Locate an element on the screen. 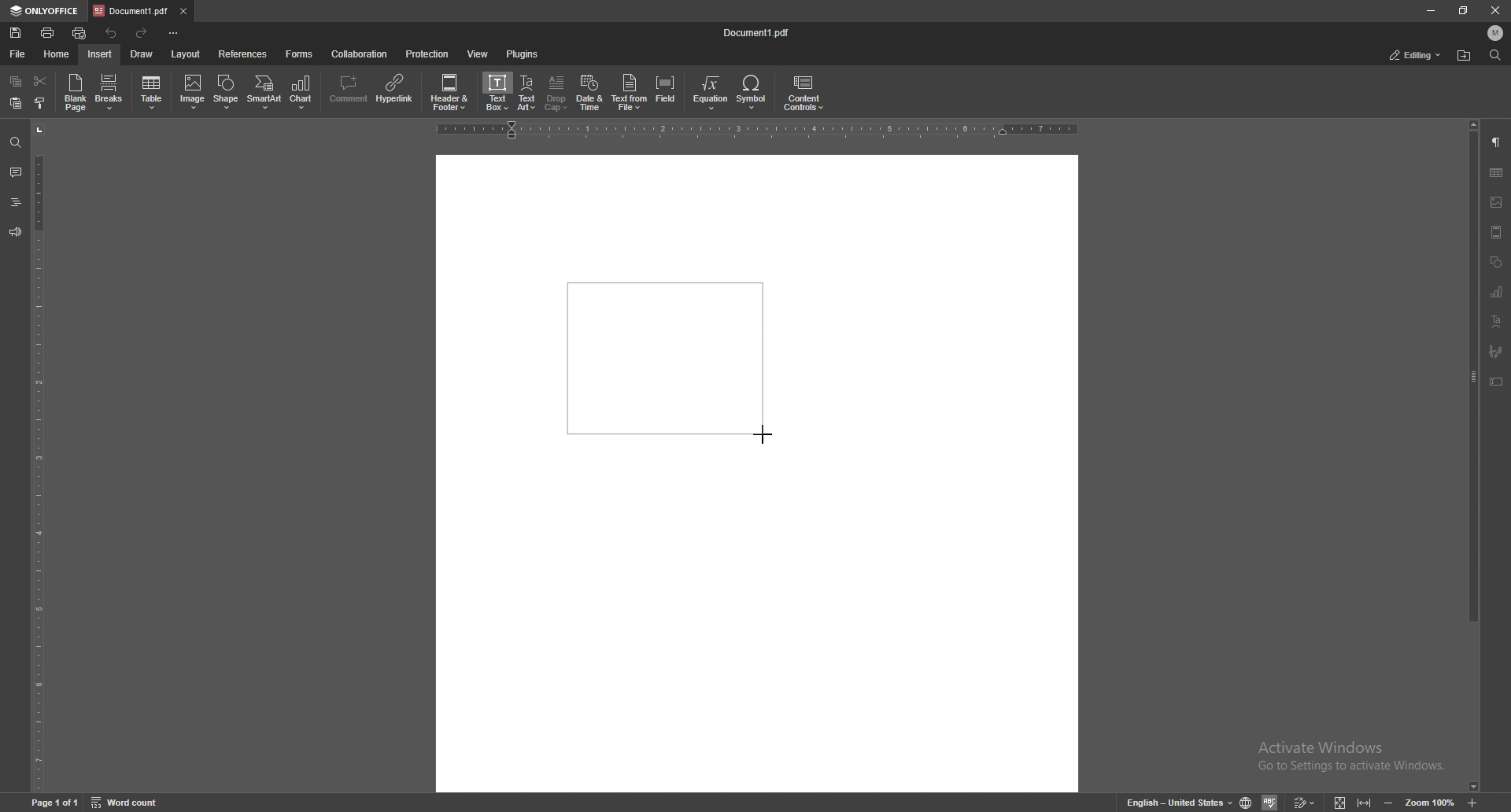  quick print is located at coordinates (79, 34).